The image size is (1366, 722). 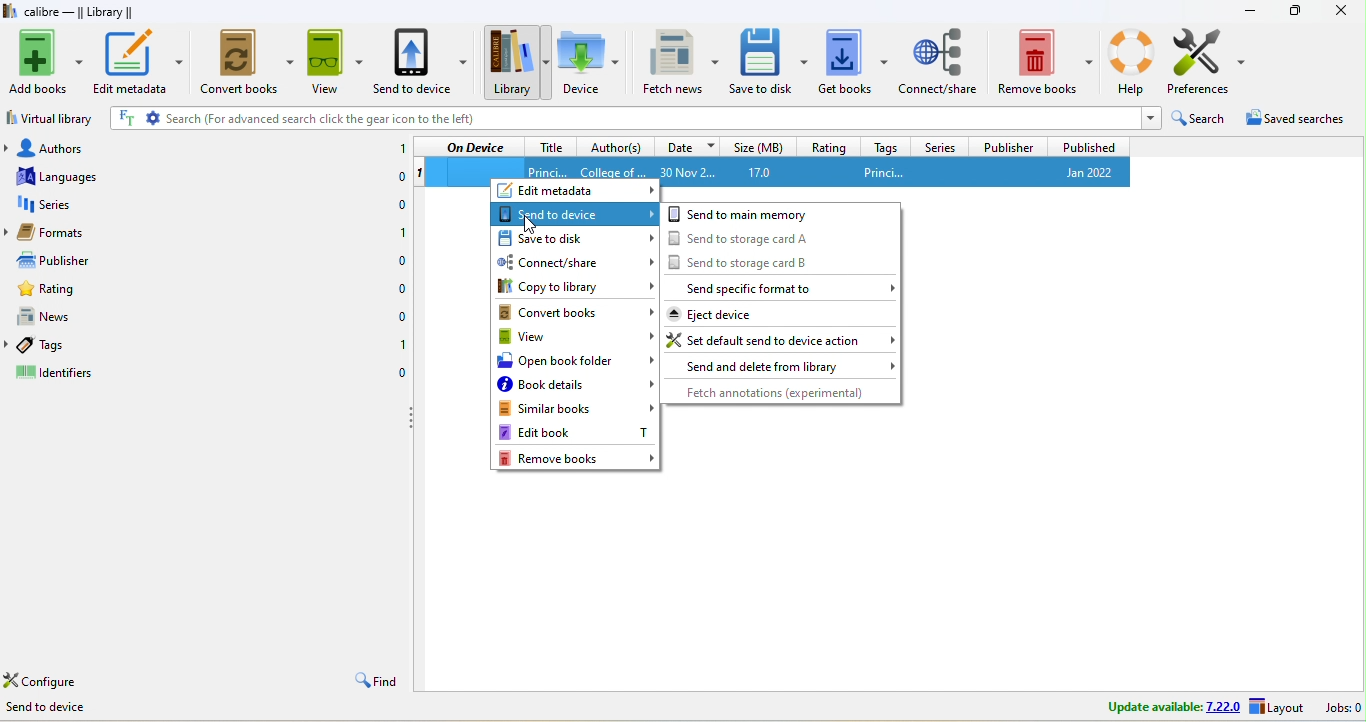 I want to click on resize, so click(x=1295, y=9).